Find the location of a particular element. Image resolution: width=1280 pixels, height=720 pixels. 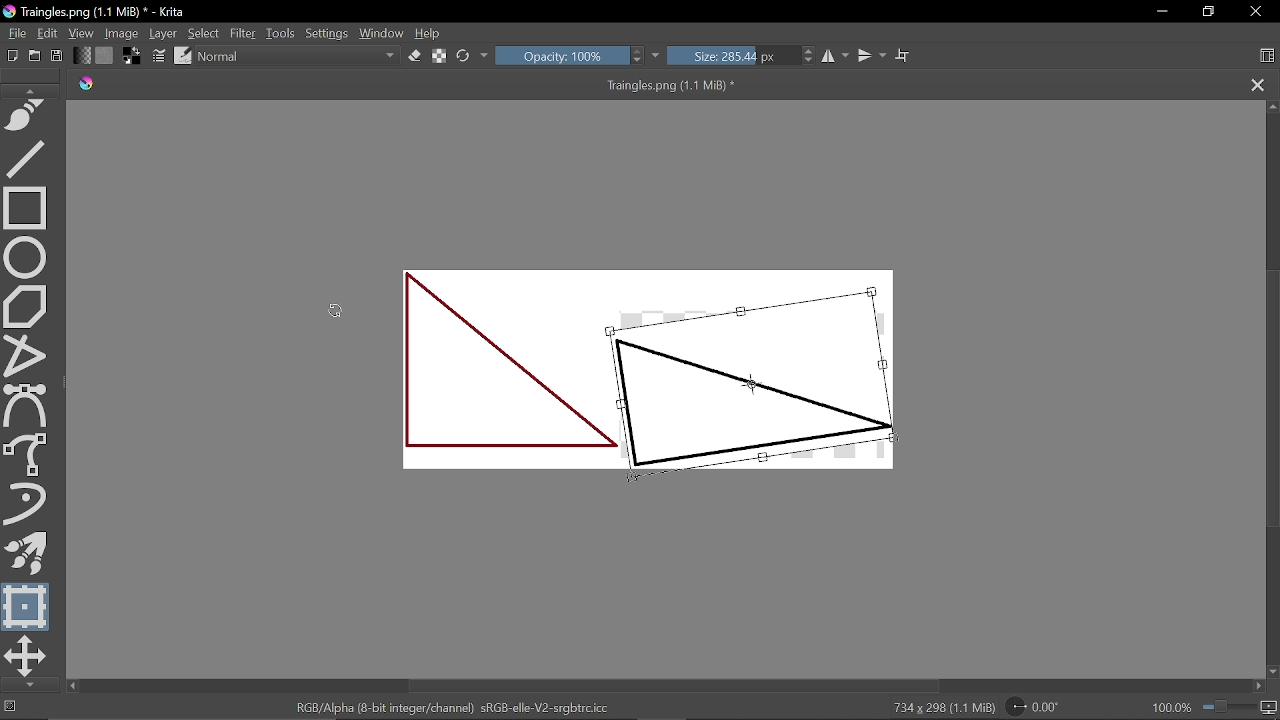

Choose brush preset is located at coordinates (183, 55).